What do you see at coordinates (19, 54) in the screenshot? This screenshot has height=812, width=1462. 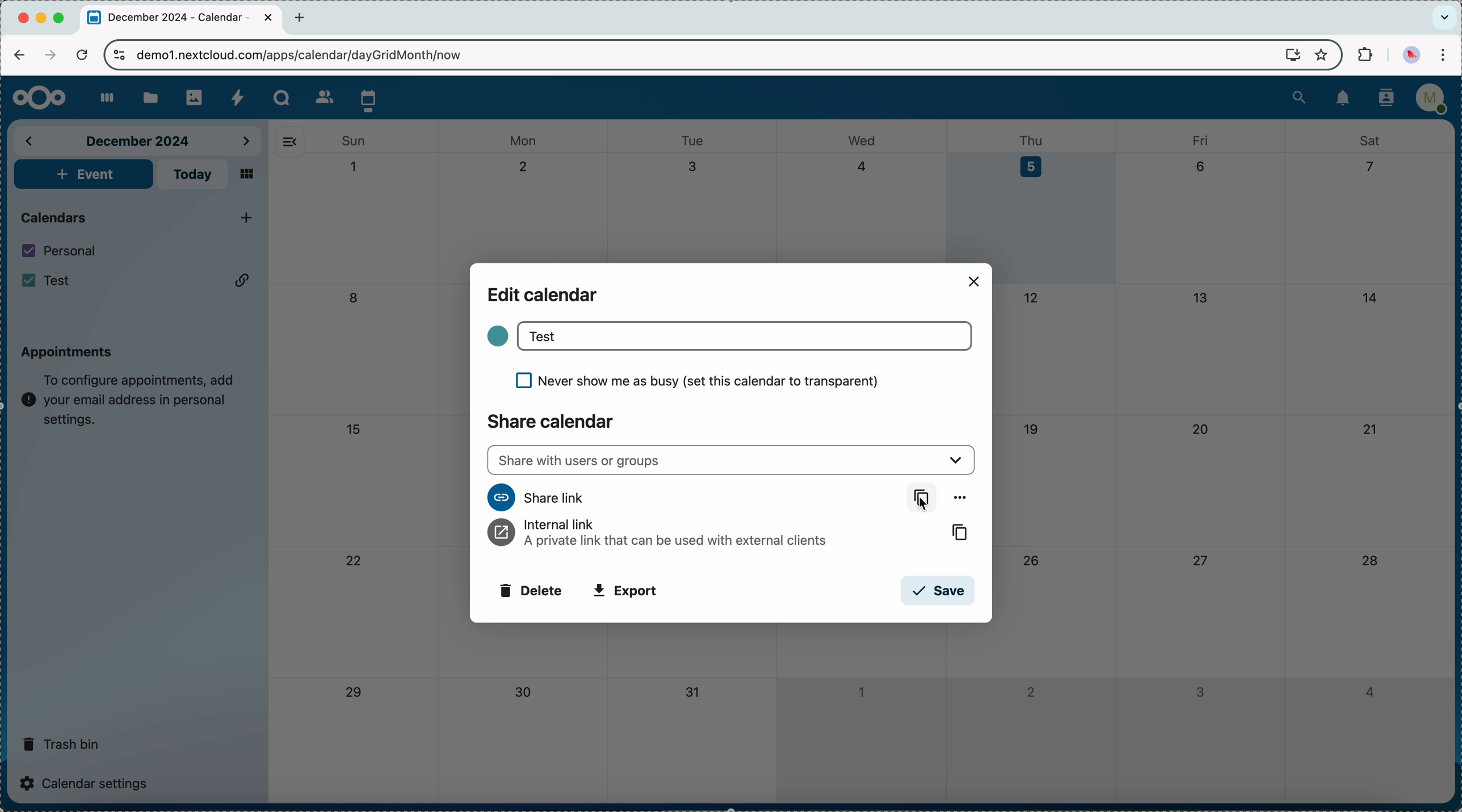 I see `navigate back` at bounding box center [19, 54].